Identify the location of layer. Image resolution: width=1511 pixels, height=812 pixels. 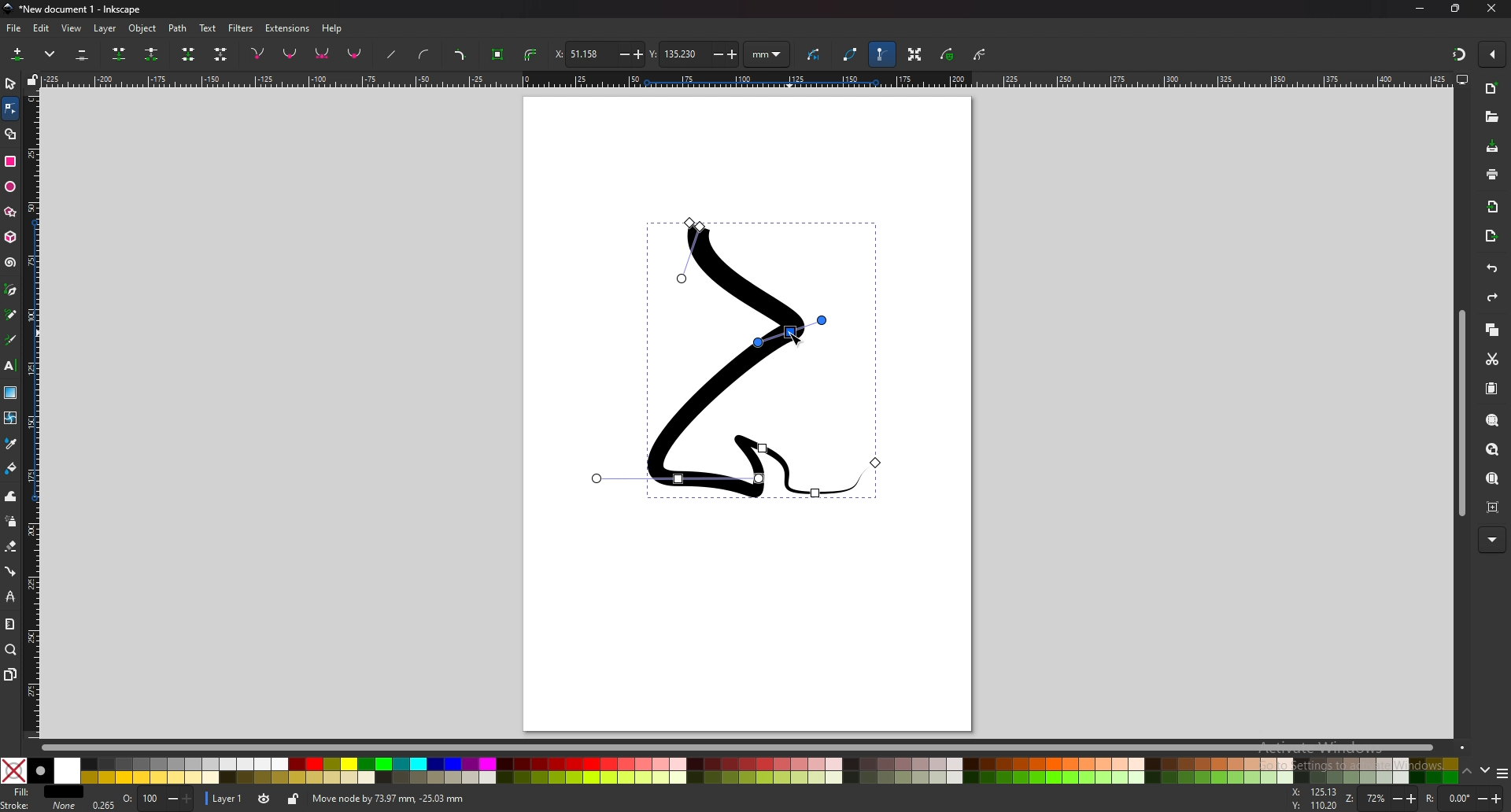
(107, 28).